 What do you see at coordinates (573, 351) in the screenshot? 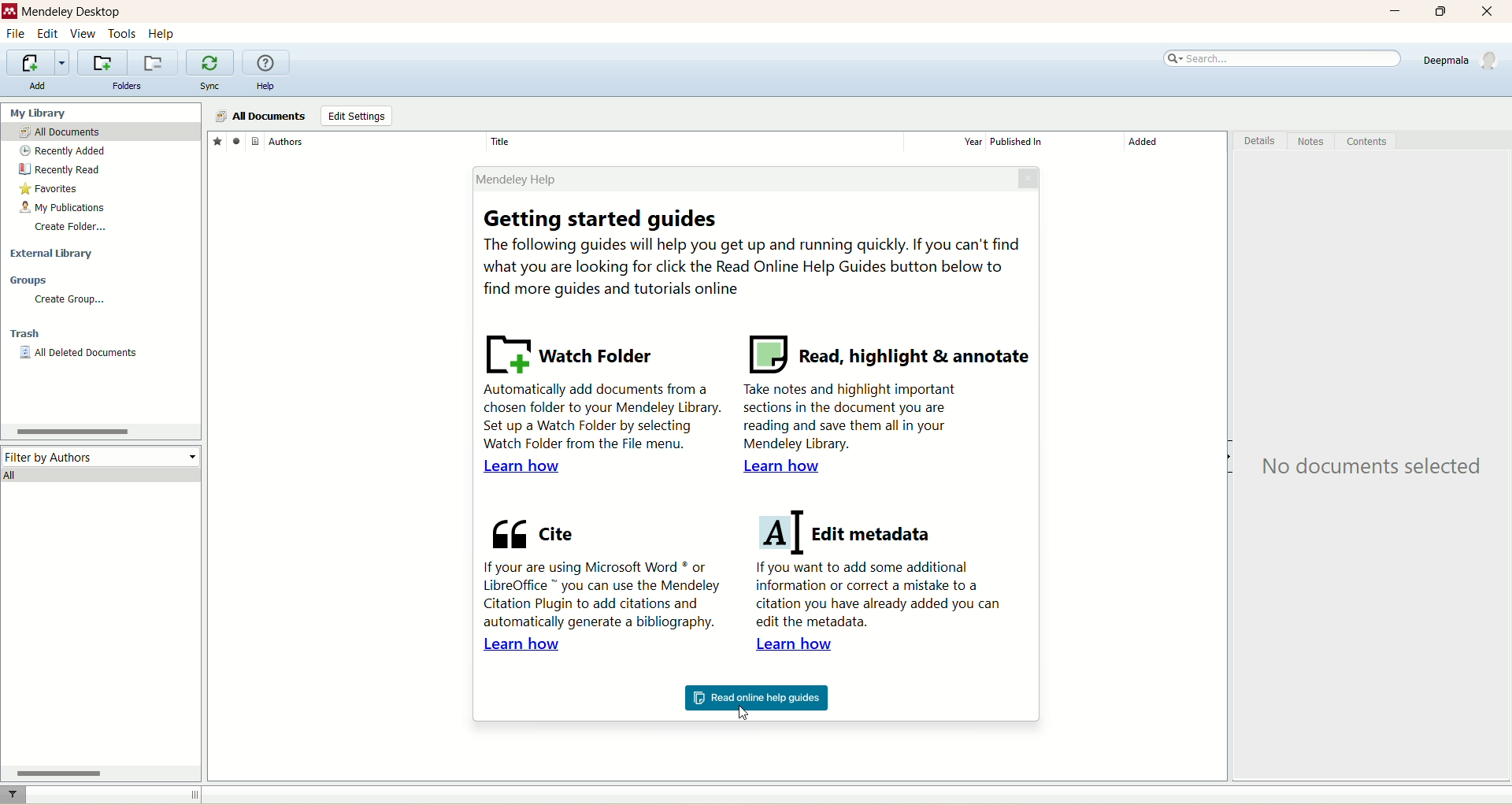
I see `watch folder` at bounding box center [573, 351].